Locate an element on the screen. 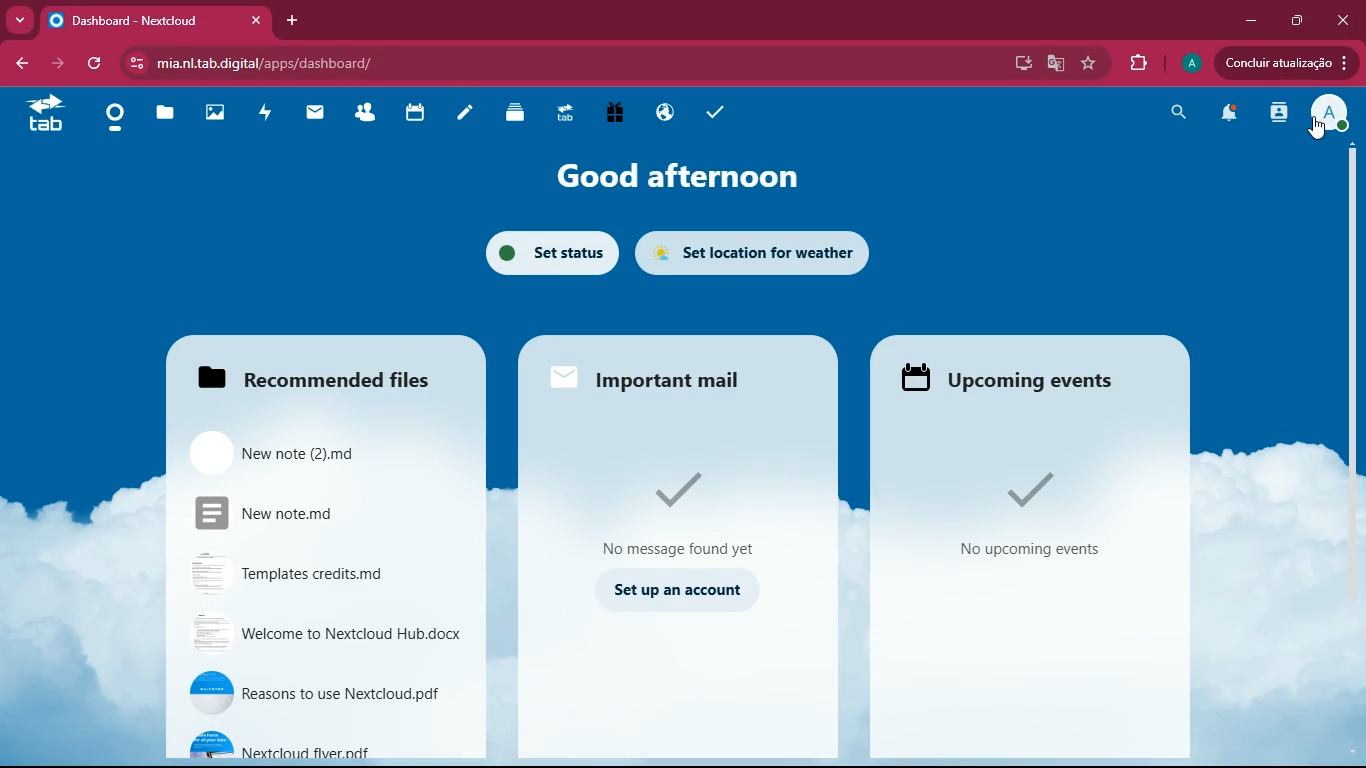 Image resolution: width=1366 pixels, height=768 pixels. home is located at coordinates (118, 118).